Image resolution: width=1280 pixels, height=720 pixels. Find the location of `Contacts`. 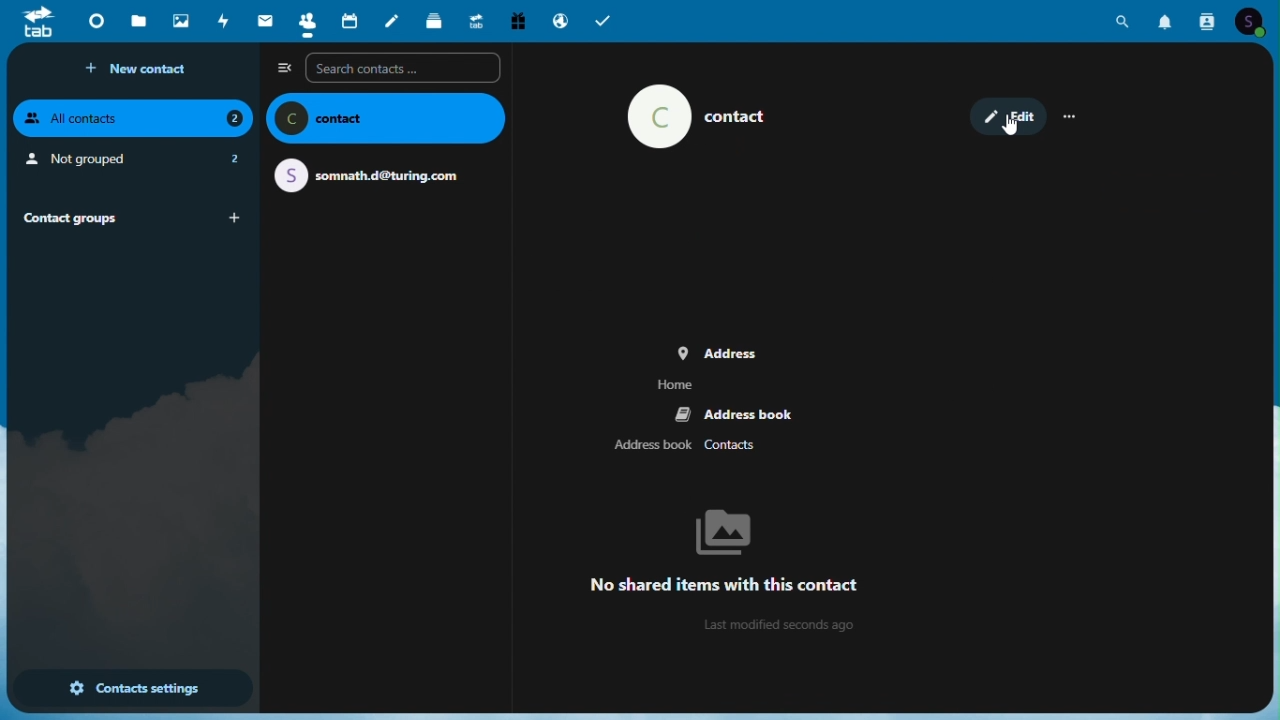

Contacts is located at coordinates (732, 446).